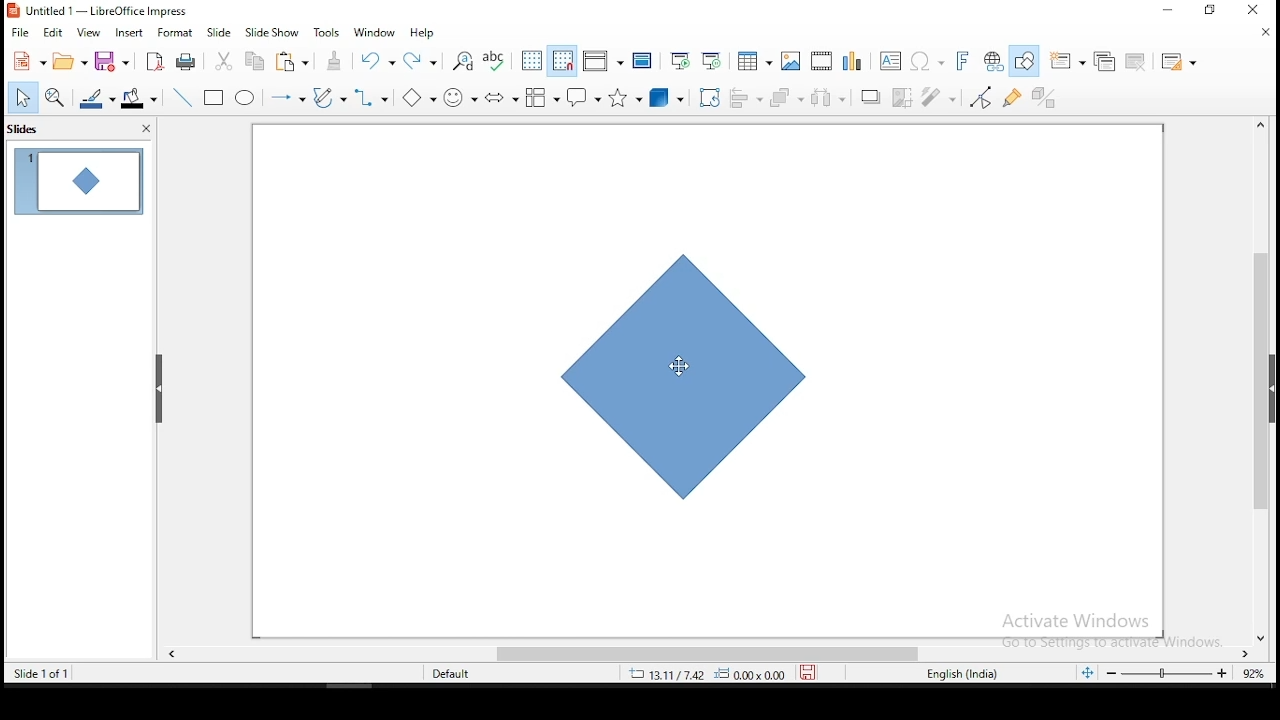 The width and height of the screenshot is (1280, 720). I want to click on snap to grid, so click(563, 60).